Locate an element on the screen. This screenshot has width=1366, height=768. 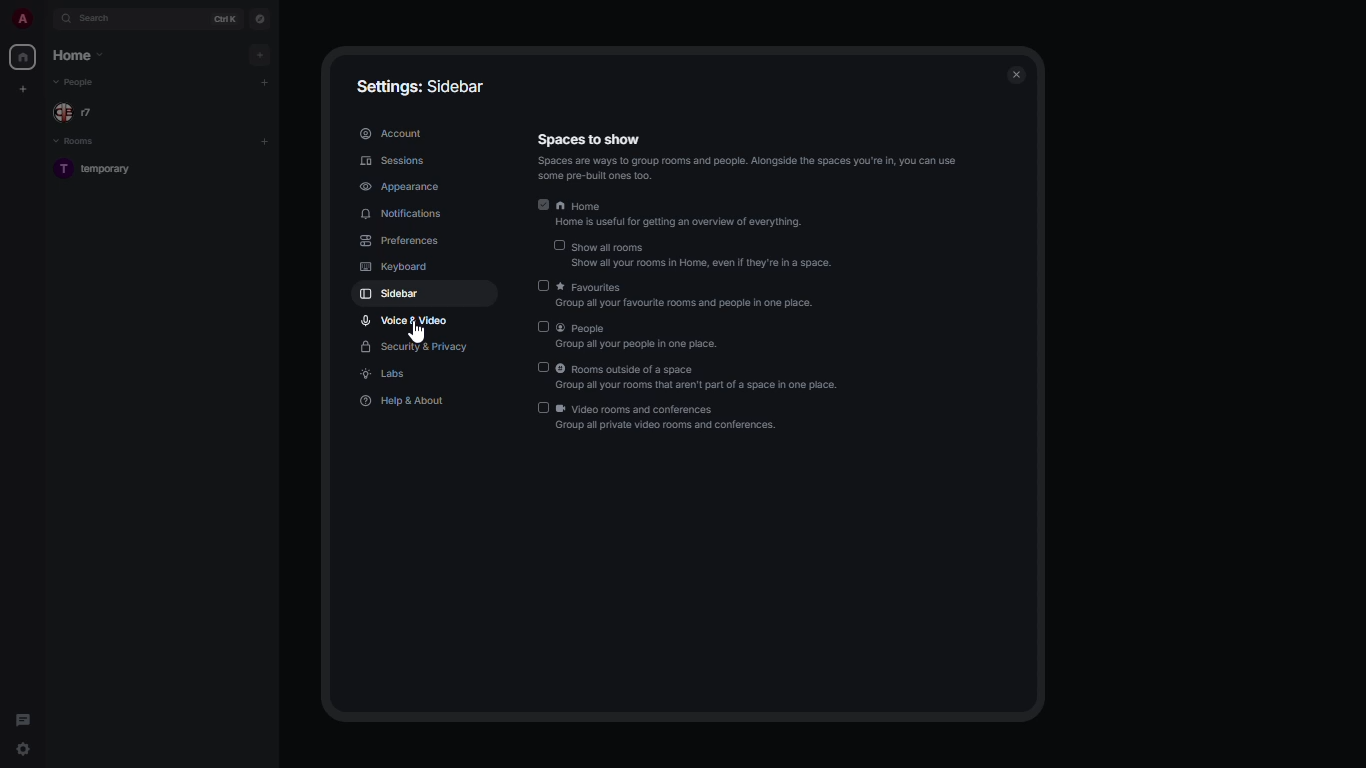
home is located at coordinates (80, 53).